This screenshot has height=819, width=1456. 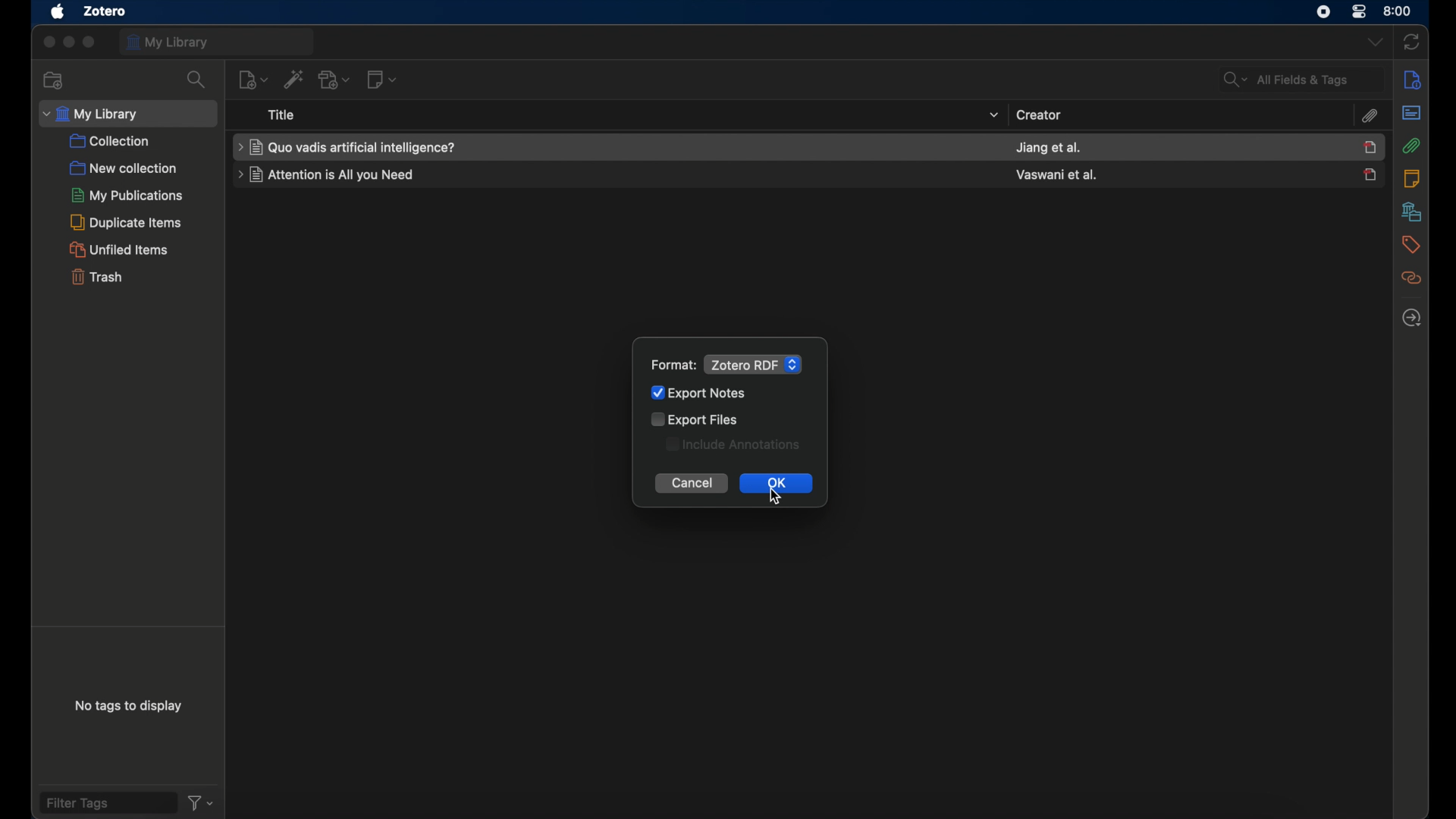 I want to click on notes, so click(x=1411, y=179).